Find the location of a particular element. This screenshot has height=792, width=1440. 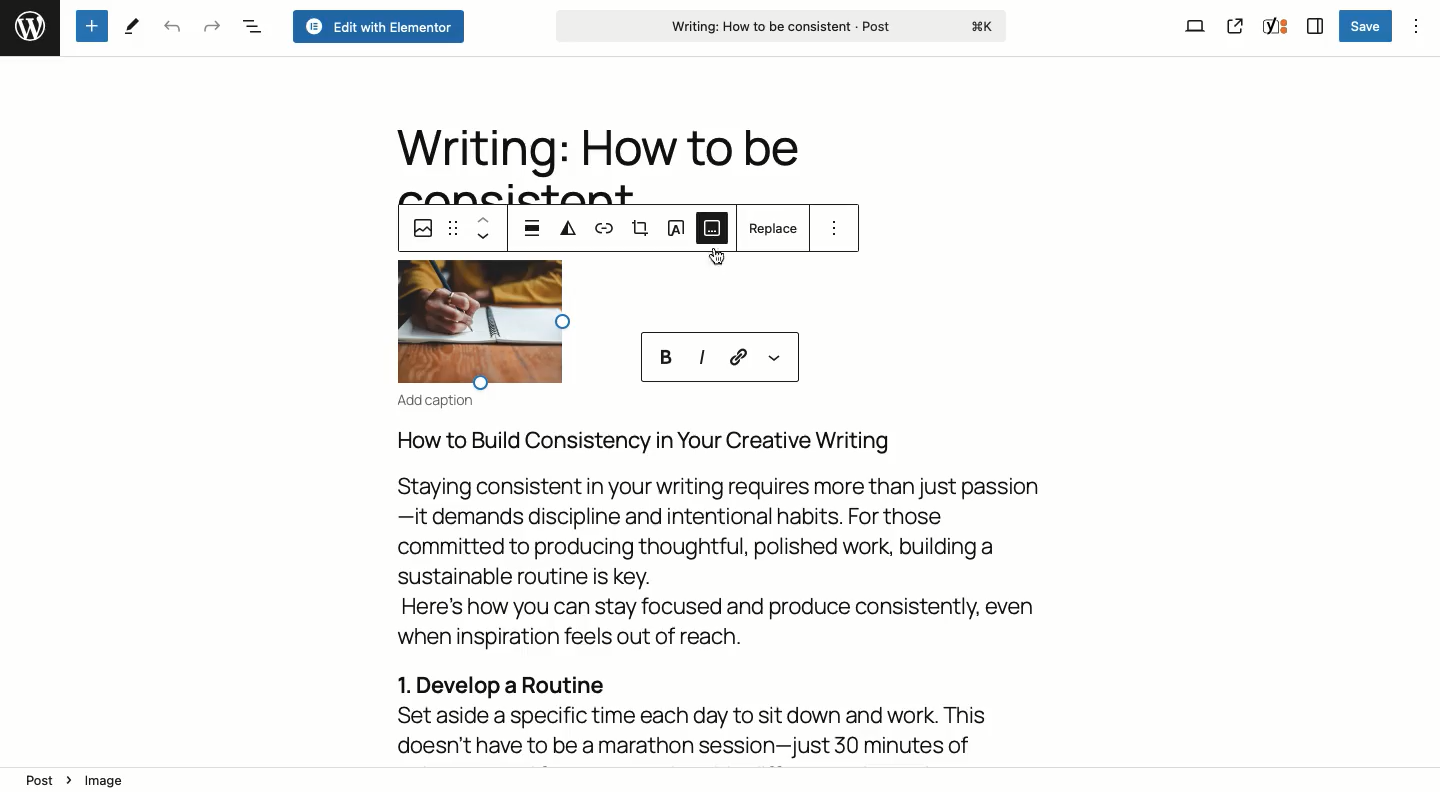

Options is located at coordinates (835, 227).